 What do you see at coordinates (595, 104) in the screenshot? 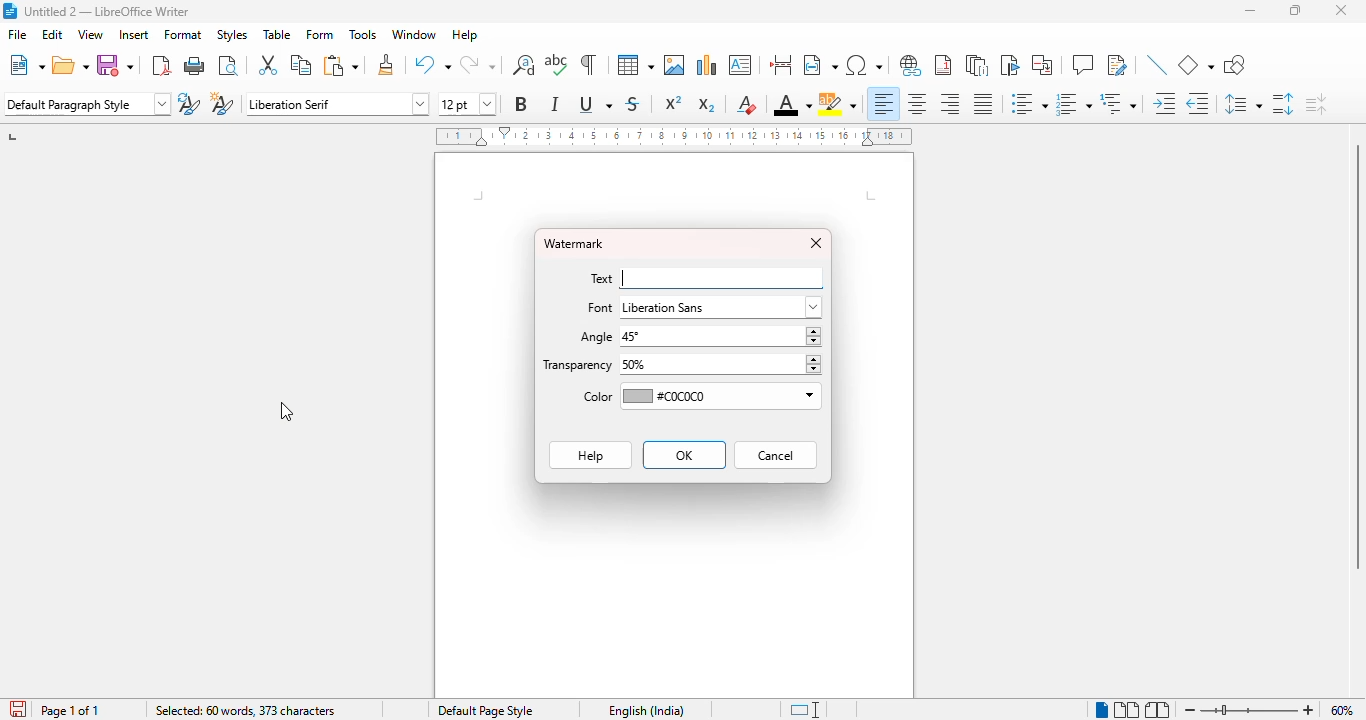
I see `underline` at bounding box center [595, 104].